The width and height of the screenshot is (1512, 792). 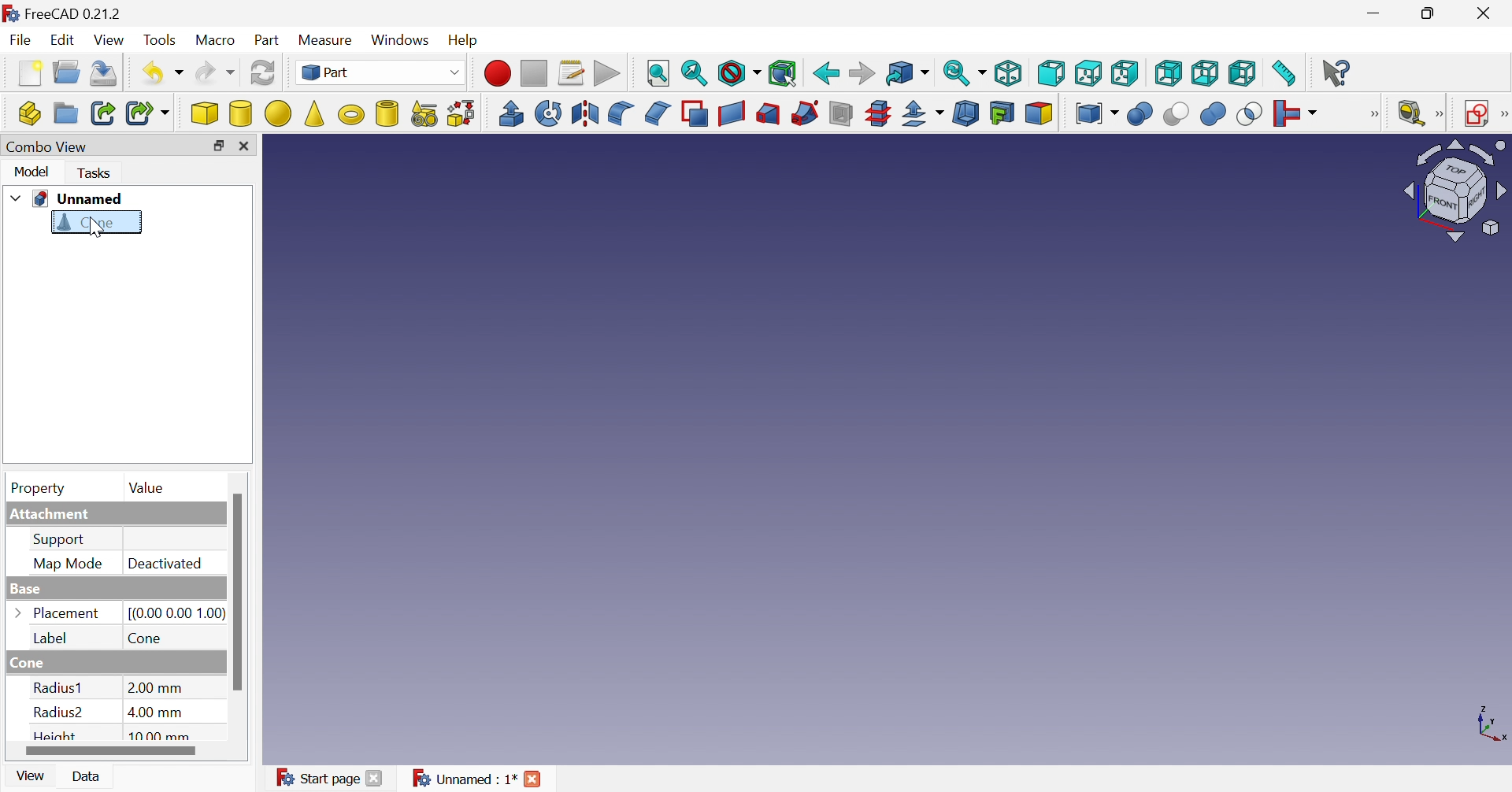 What do you see at coordinates (32, 171) in the screenshot?
I see `Model` at bounding box center [32, 171].